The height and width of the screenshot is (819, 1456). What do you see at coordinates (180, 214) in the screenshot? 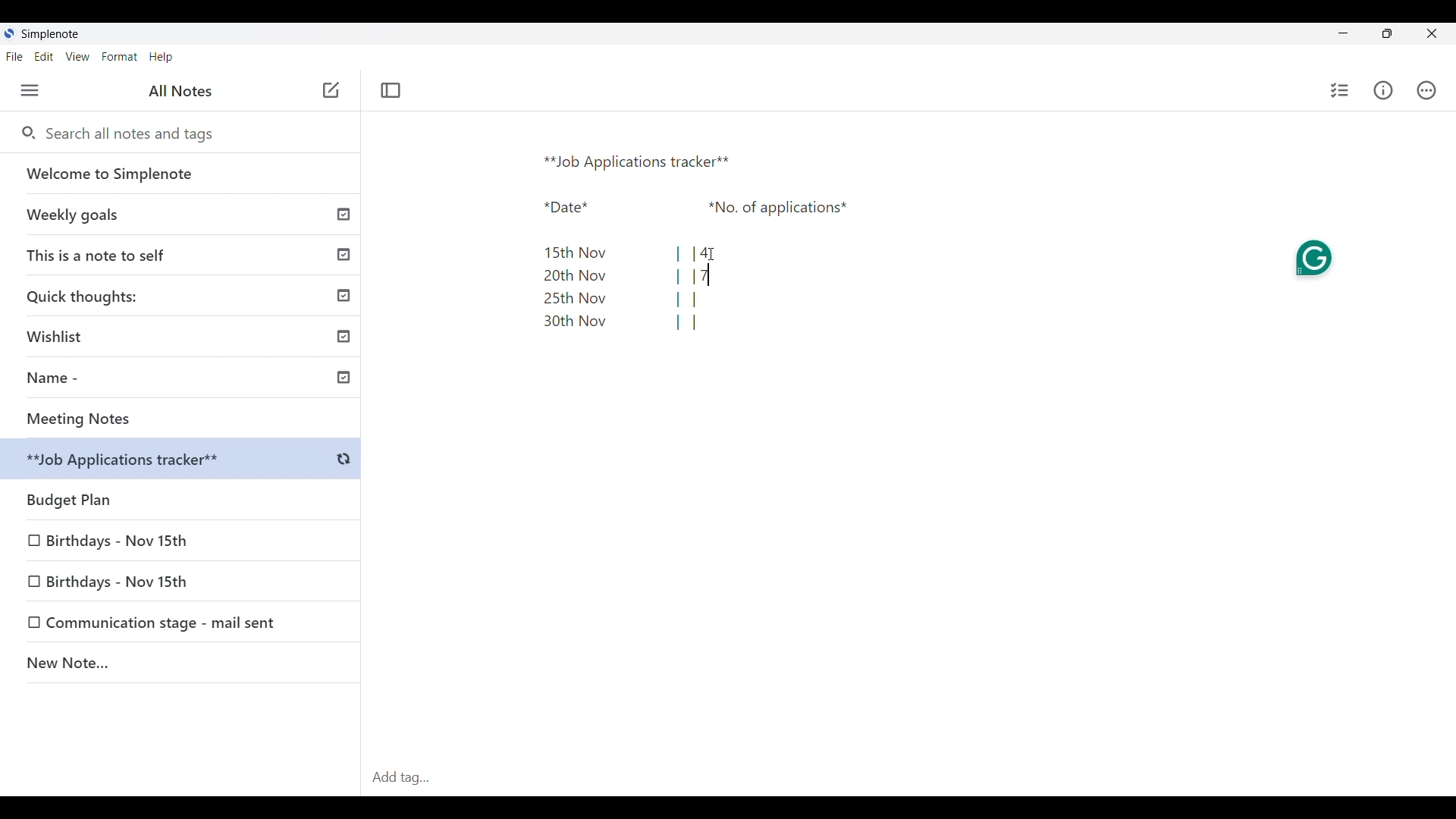
I see `Weekly goals` at bounding box center [180, 214].